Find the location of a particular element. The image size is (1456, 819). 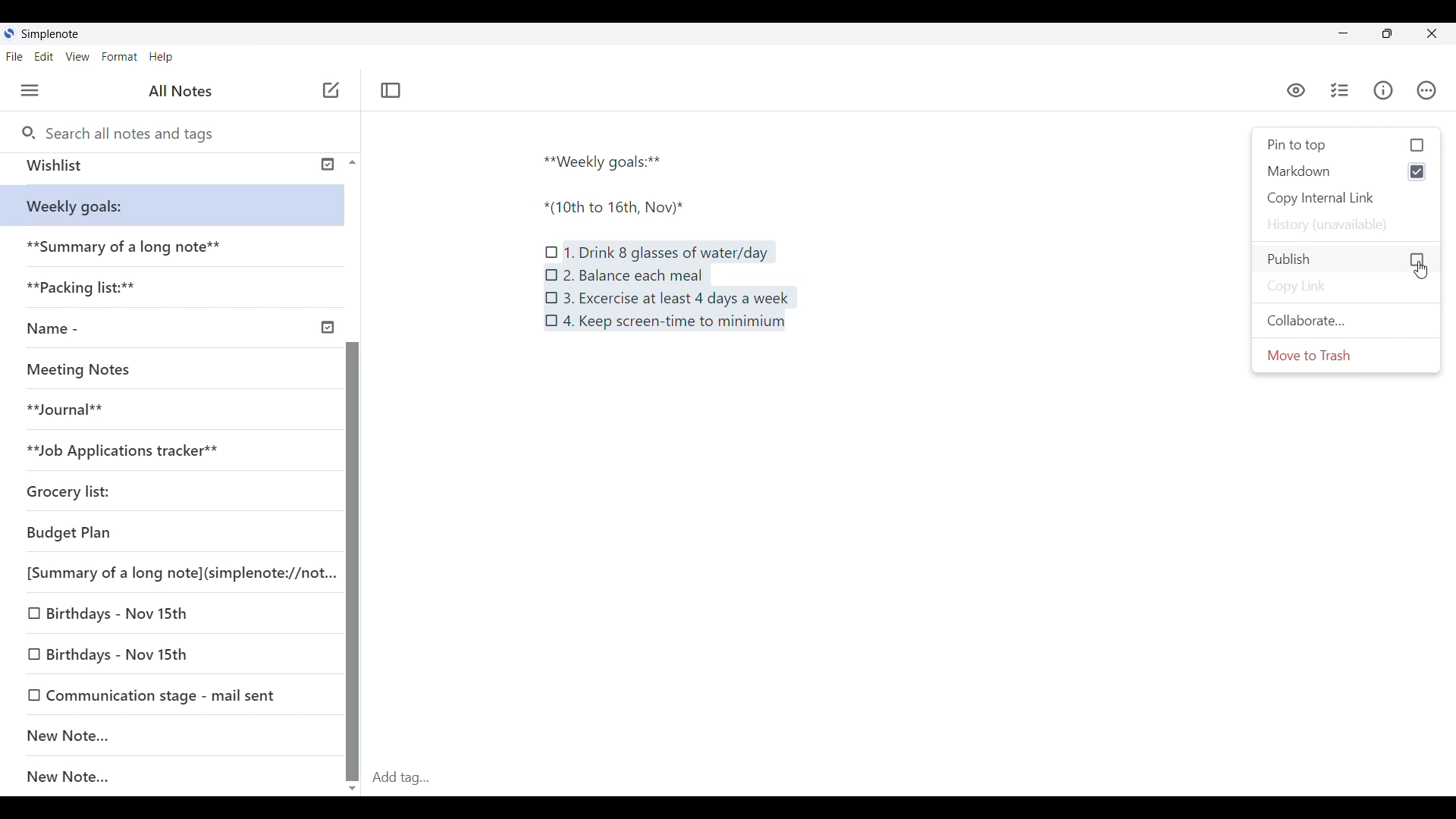

Communication stage - mail sent is located at coordinates (172, 695).